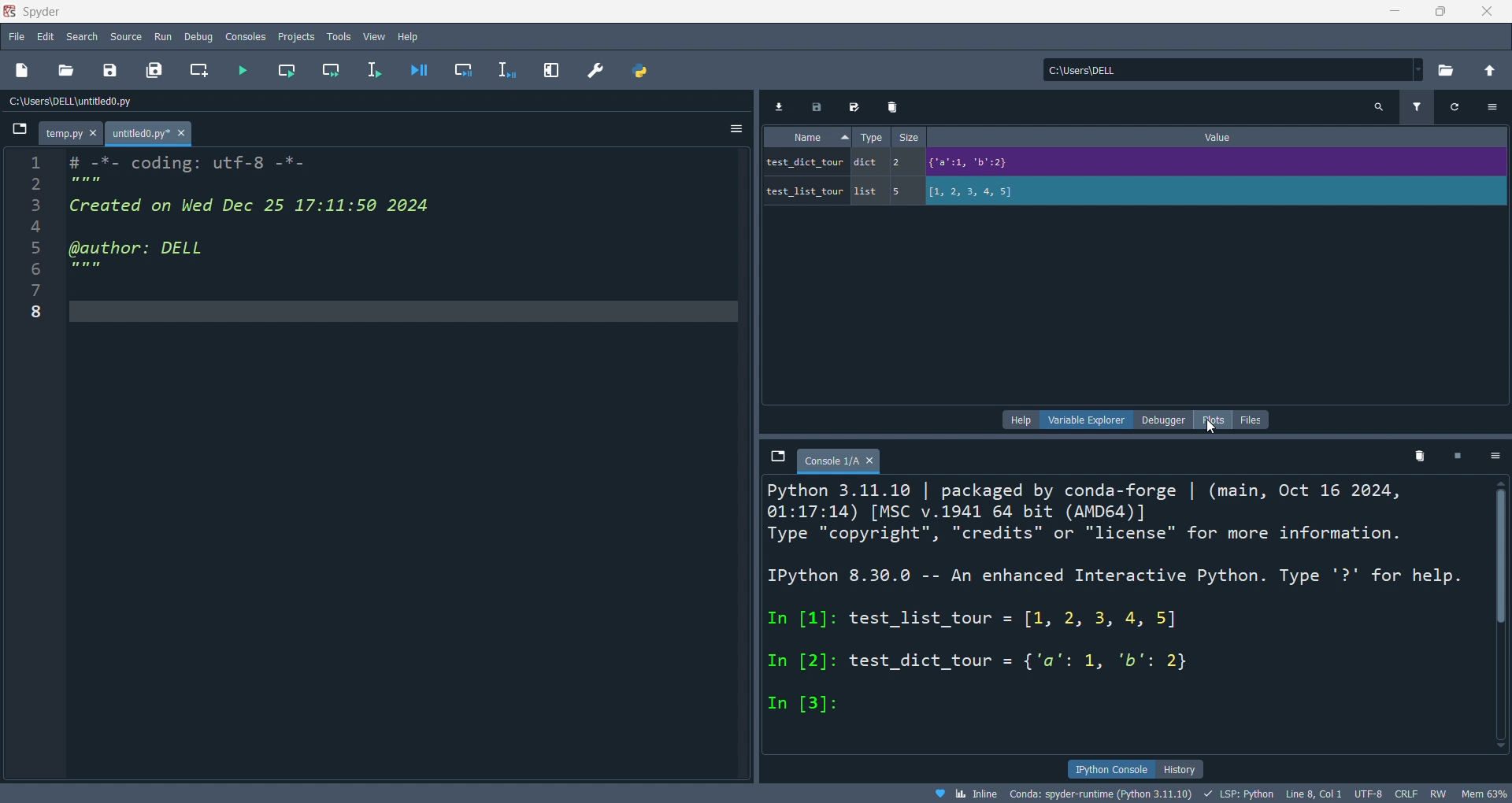 Image resolution: width=1512 pixels, height=803 pixels. Describe the element at coordinates (1399, 12) in the screenshot. I see `minimize` at that location.